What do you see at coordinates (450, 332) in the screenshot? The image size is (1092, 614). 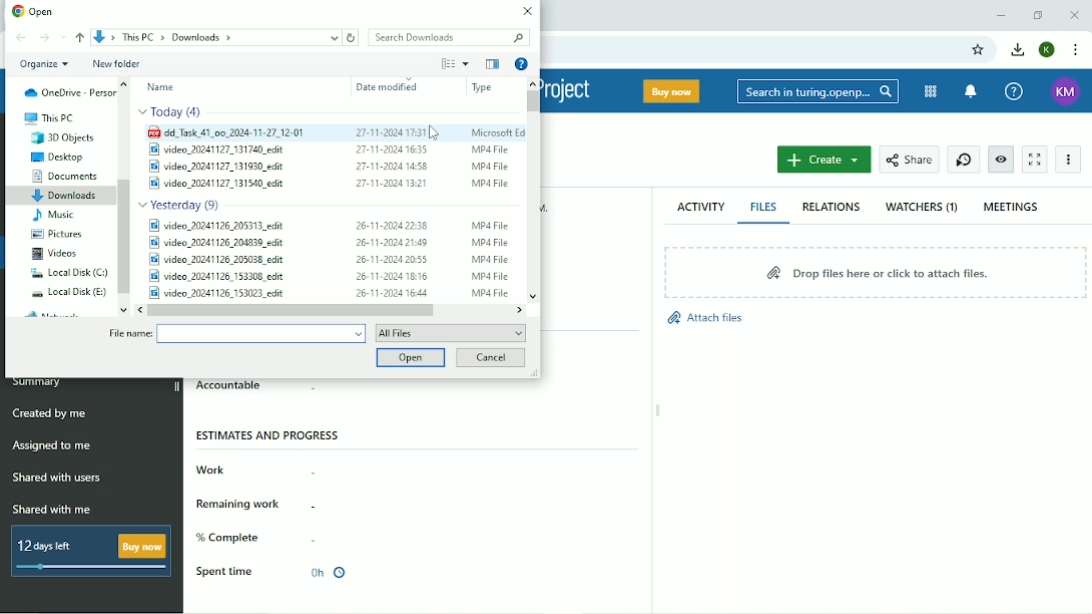 I see `All Files` at bounding box center [450, 332].